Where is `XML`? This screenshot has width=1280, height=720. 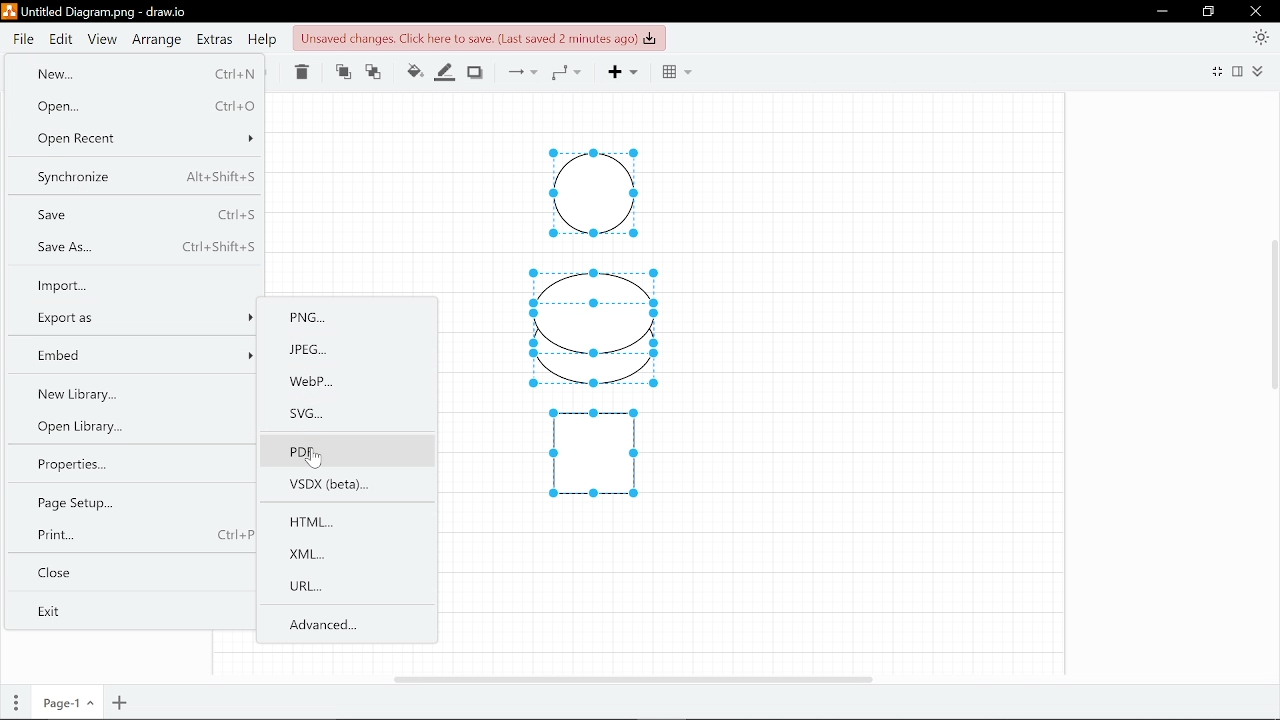
XML is located at coordinates (347, 555).